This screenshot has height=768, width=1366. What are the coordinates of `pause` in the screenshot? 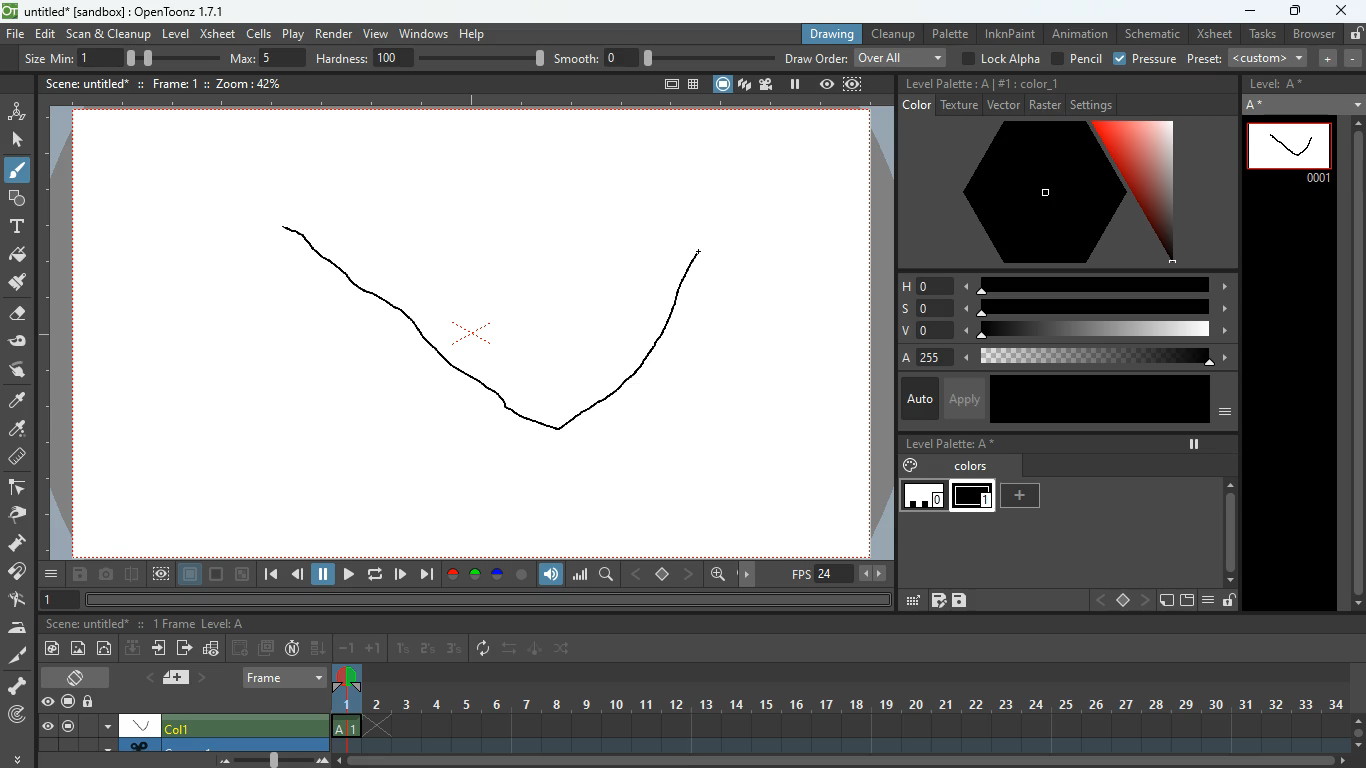 It's located at (324, 575).